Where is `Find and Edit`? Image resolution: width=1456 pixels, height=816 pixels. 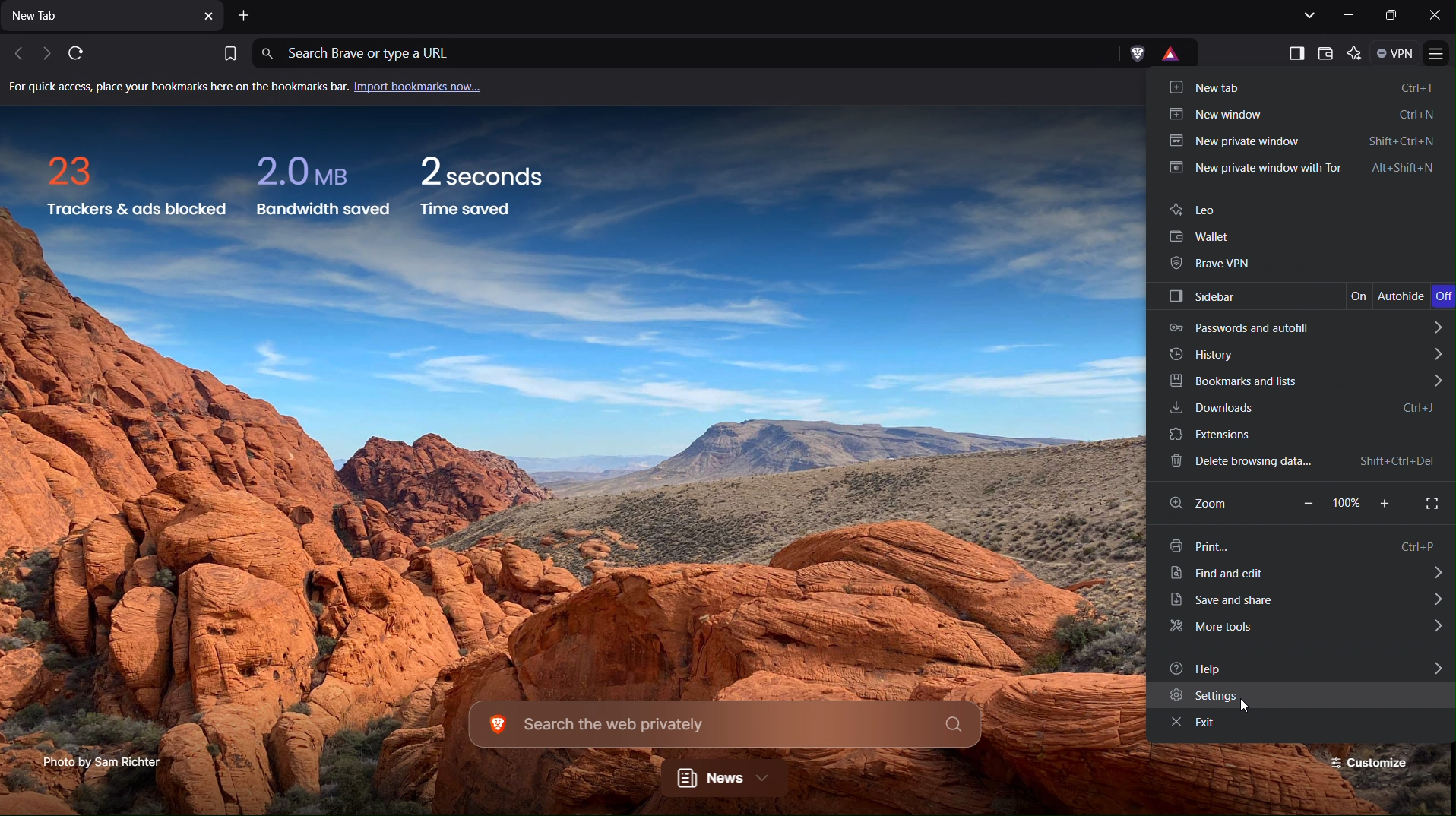 Find and Edit is located at coordinates (1299, 572).